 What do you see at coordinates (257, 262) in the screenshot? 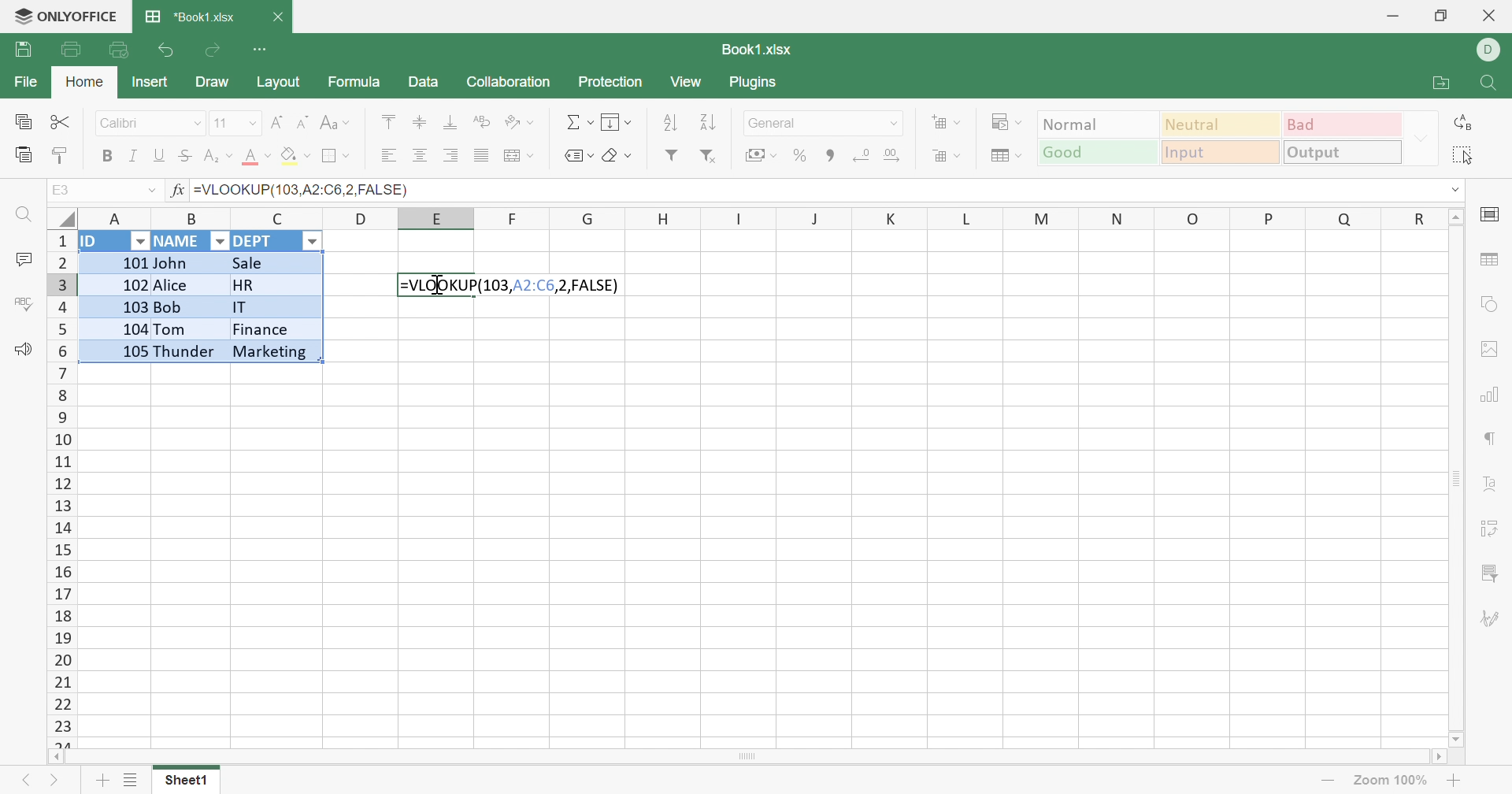
I see `Sale` at bounding box center [257, 262].